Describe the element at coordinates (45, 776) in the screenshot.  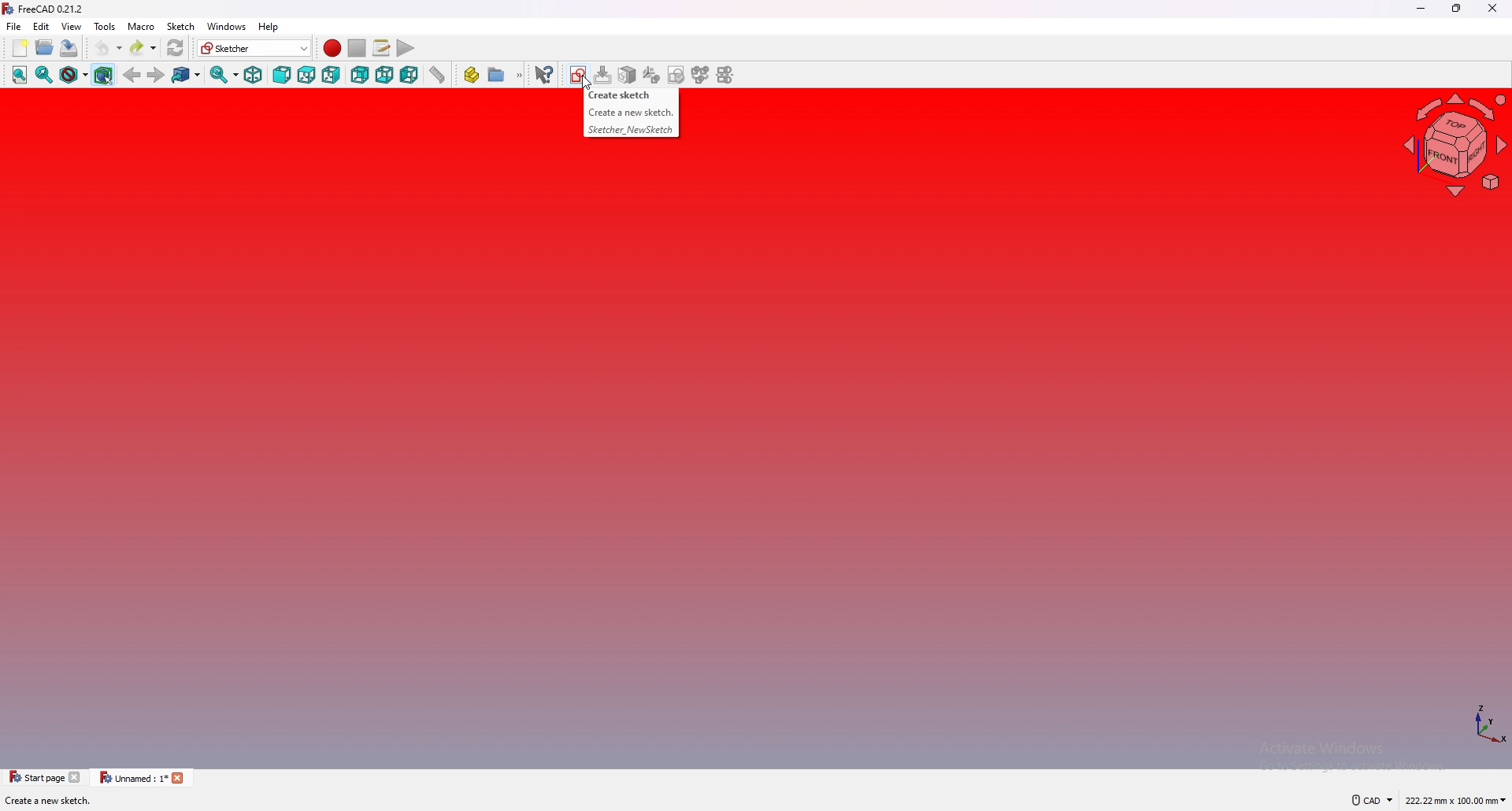
I see `tab 1` at that location.